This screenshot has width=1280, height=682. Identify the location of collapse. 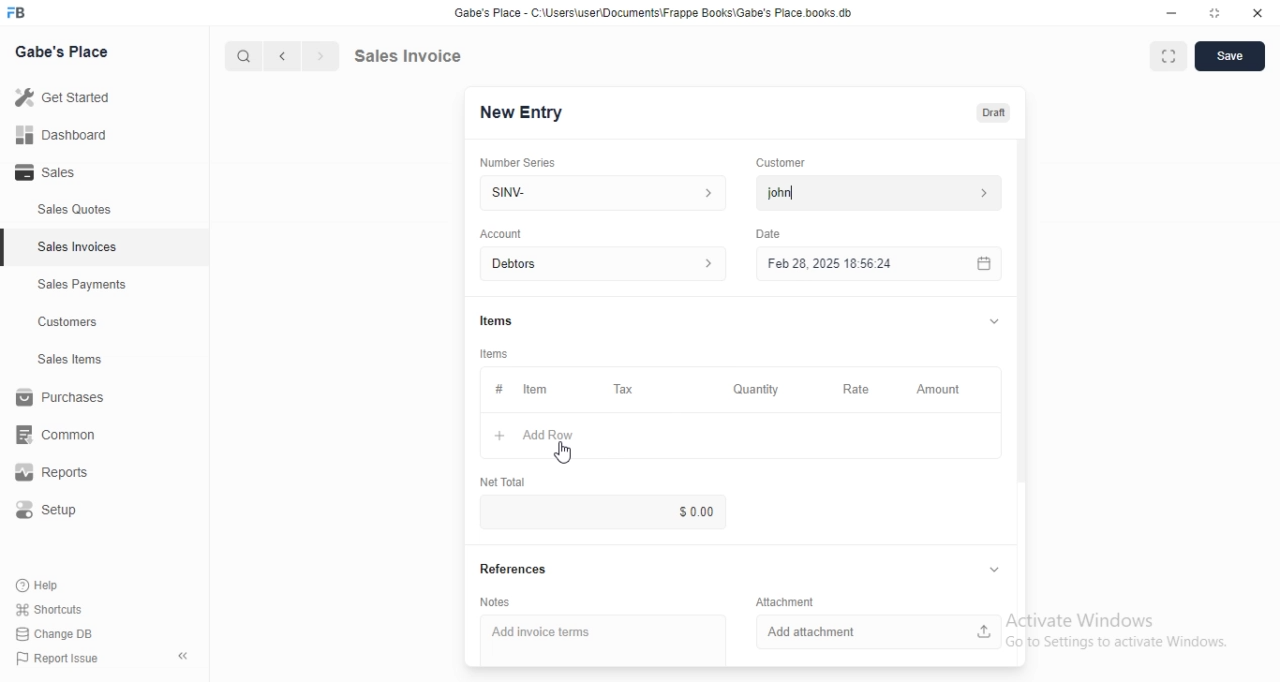
(991, 321).